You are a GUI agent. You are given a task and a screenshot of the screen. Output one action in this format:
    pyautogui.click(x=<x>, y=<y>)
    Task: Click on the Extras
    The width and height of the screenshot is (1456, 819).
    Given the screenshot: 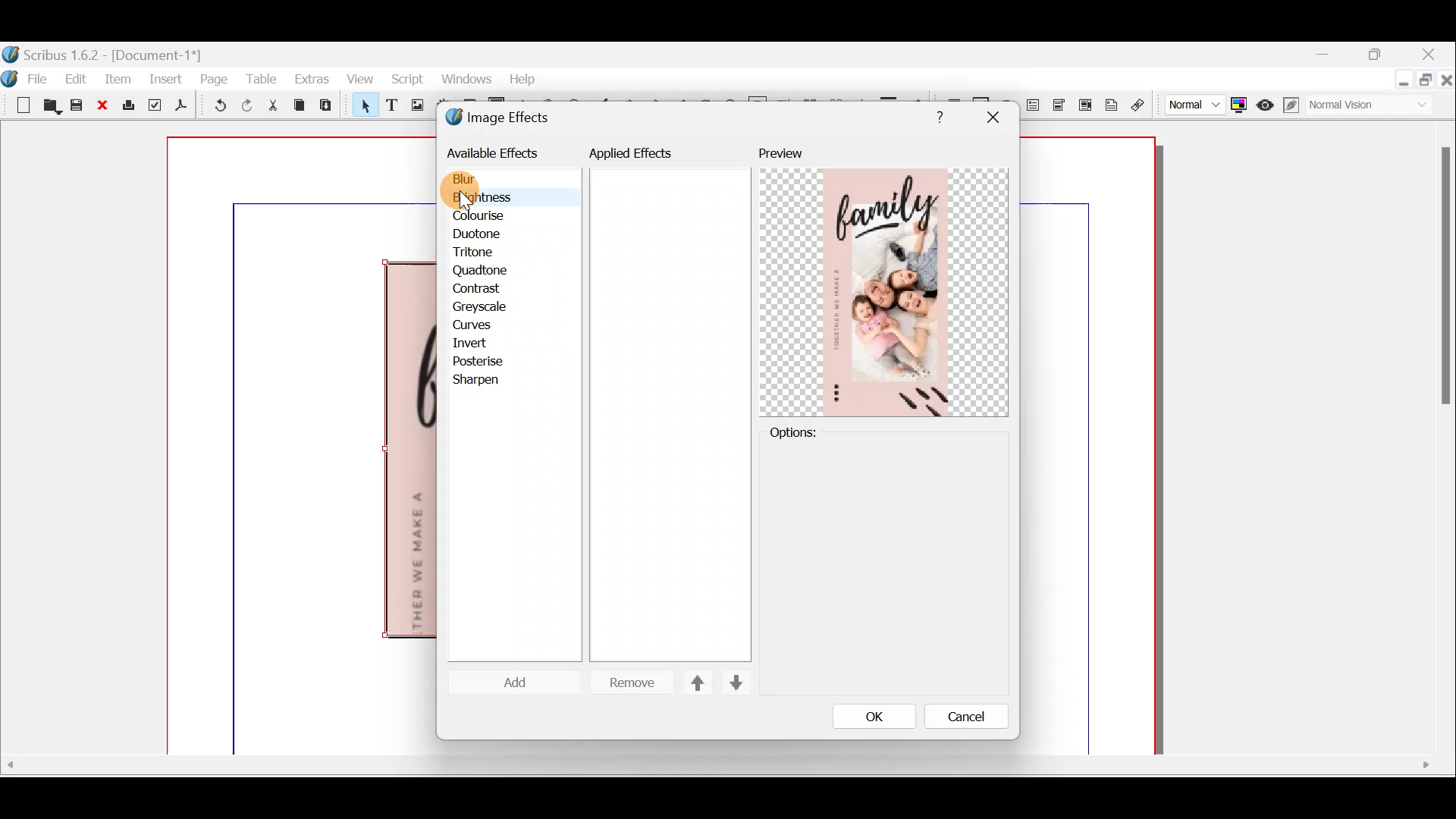 What is the action you would take?
    pyautogui.click(x=311, y=78)
    